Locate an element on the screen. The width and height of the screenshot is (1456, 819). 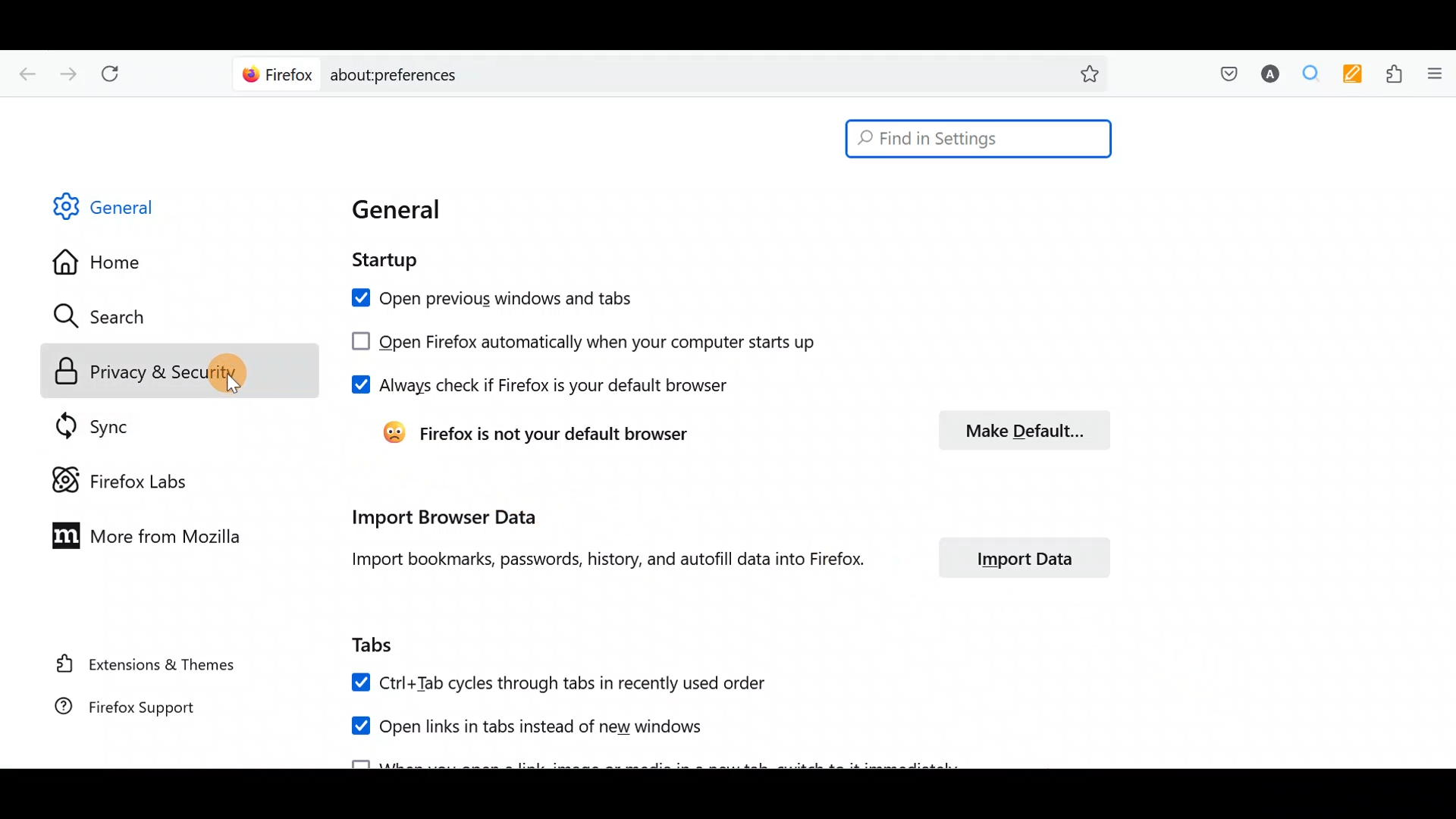
Reload current page is located at coordinates (115, 74).